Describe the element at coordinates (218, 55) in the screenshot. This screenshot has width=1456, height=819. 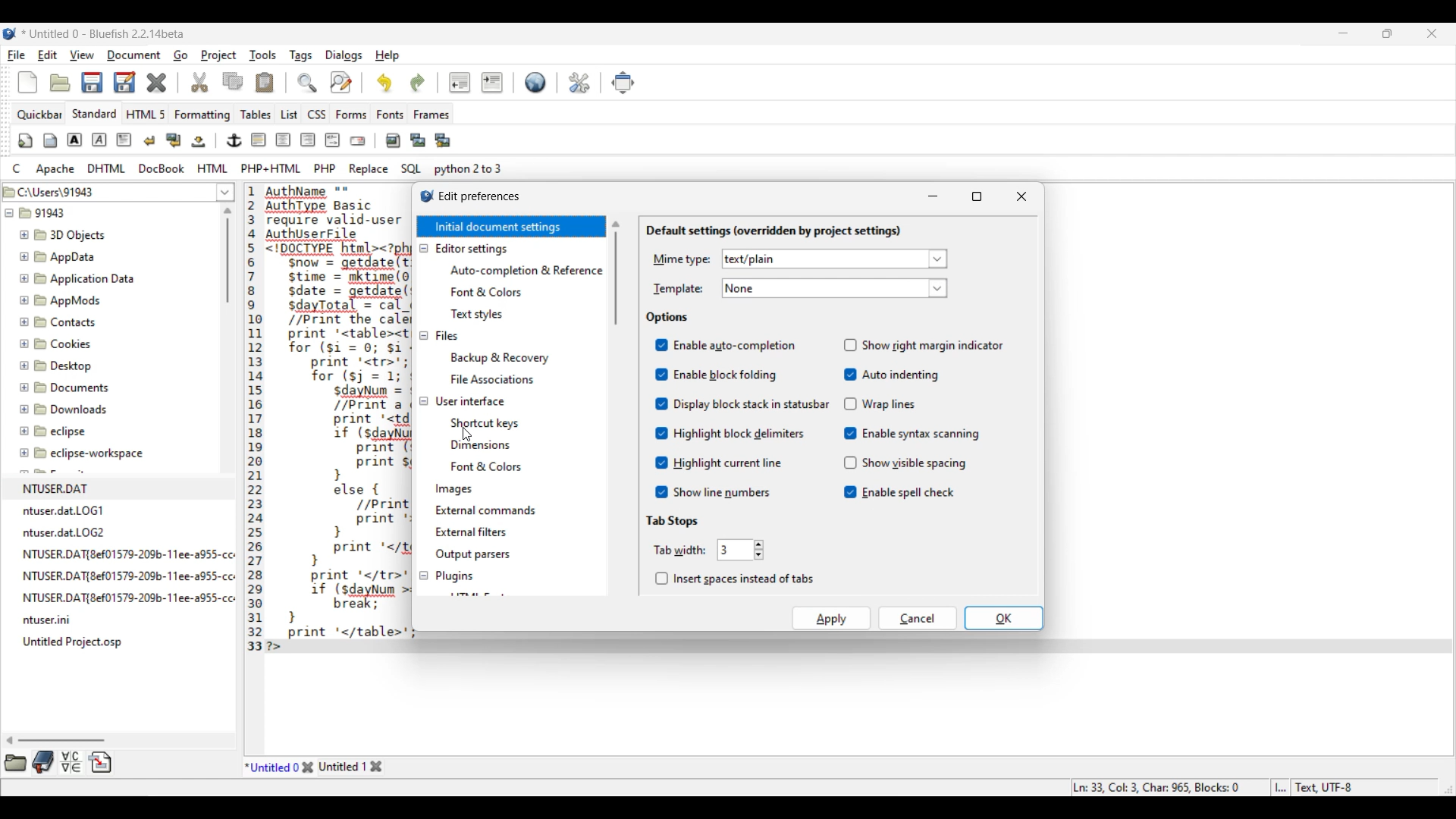
I see `Project menu` at that location.